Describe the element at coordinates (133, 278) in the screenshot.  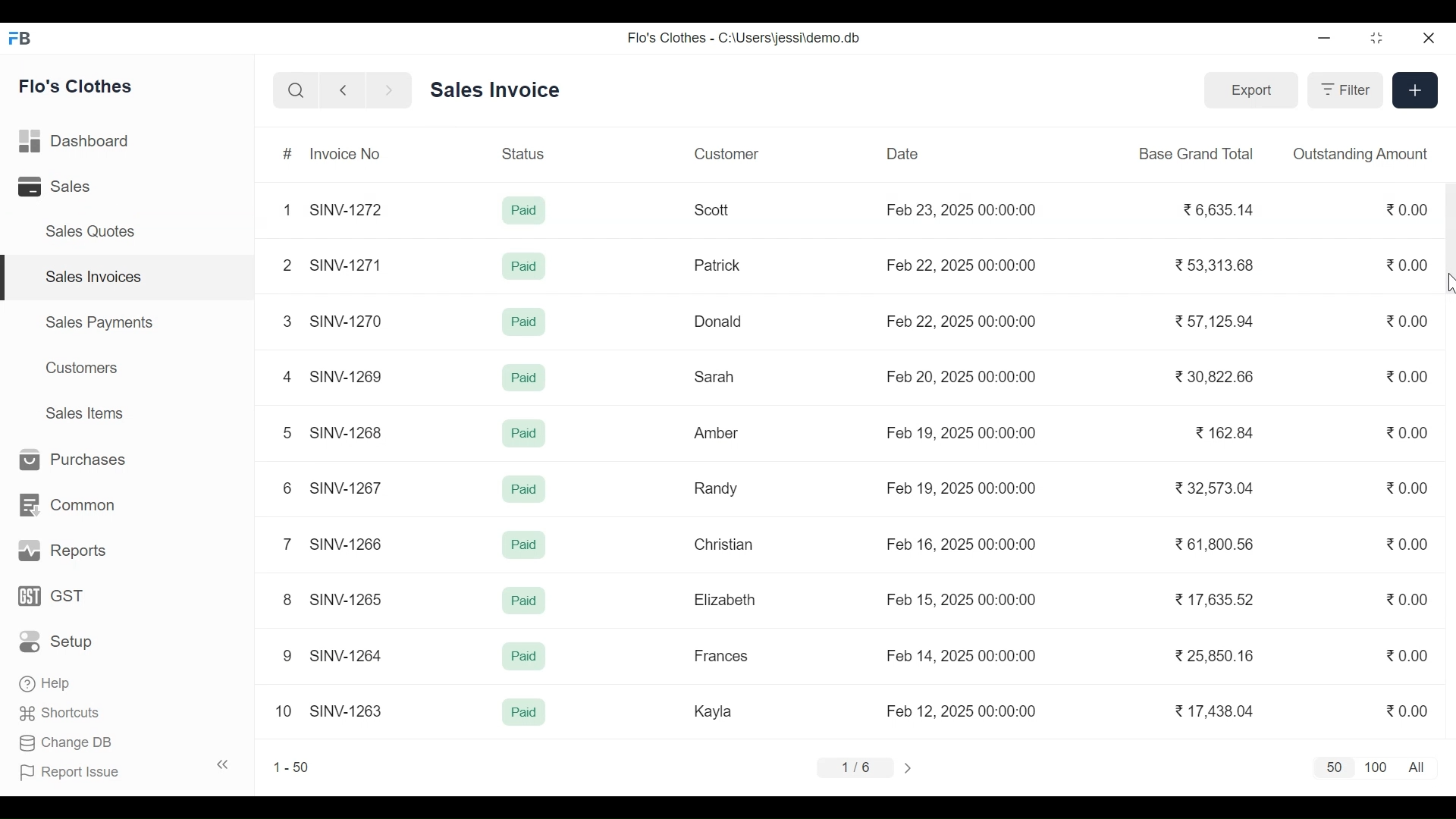
I see `Sales Invoices` at that location.